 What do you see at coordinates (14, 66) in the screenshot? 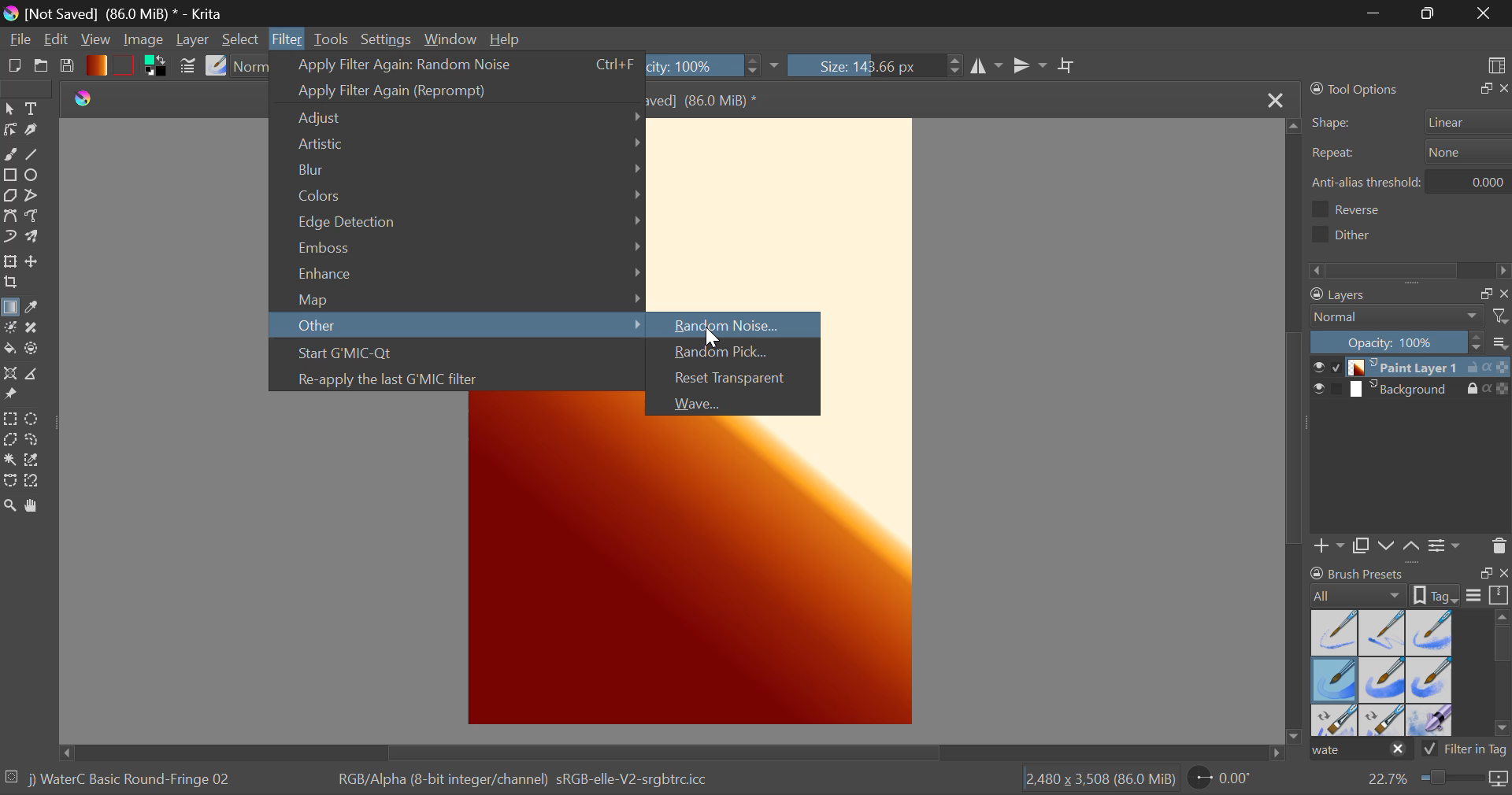
I see `New` at bounding box center [14, 66].